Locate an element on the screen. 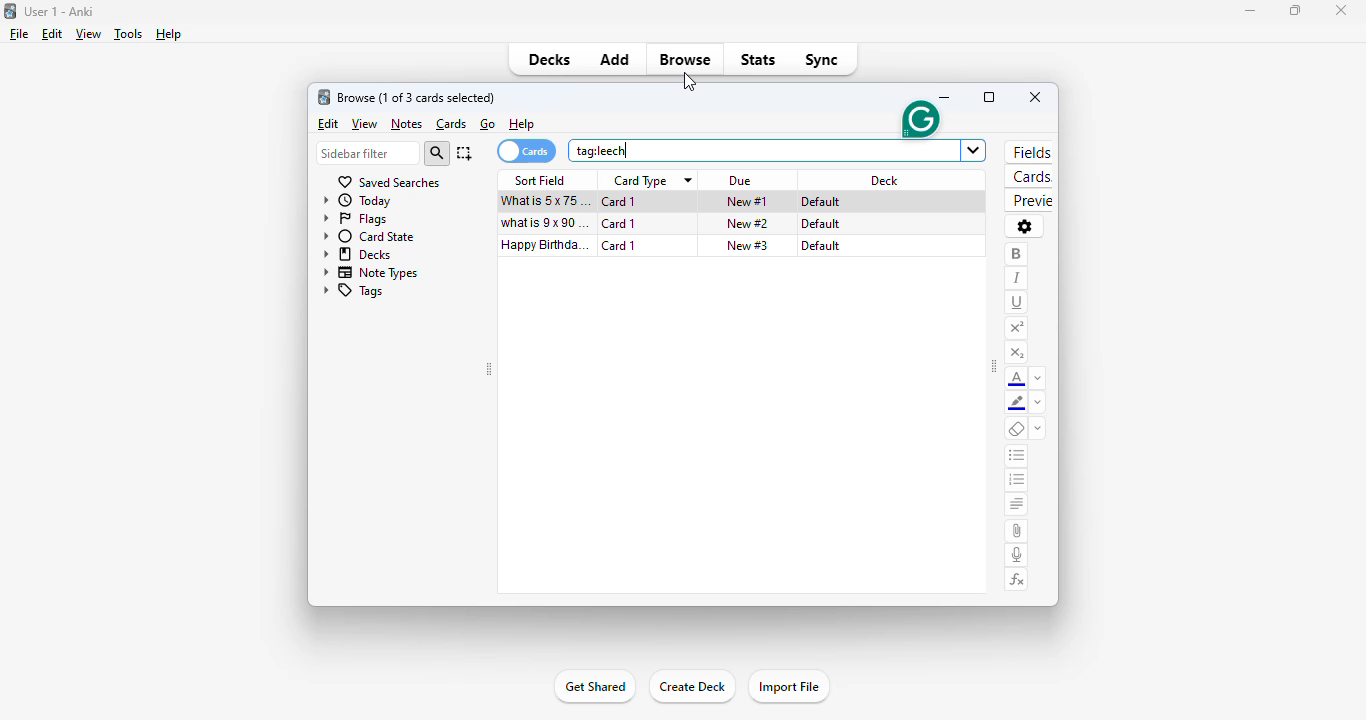 This screenshot has height=720, width=1366. view is located at coordinates (366, 124).